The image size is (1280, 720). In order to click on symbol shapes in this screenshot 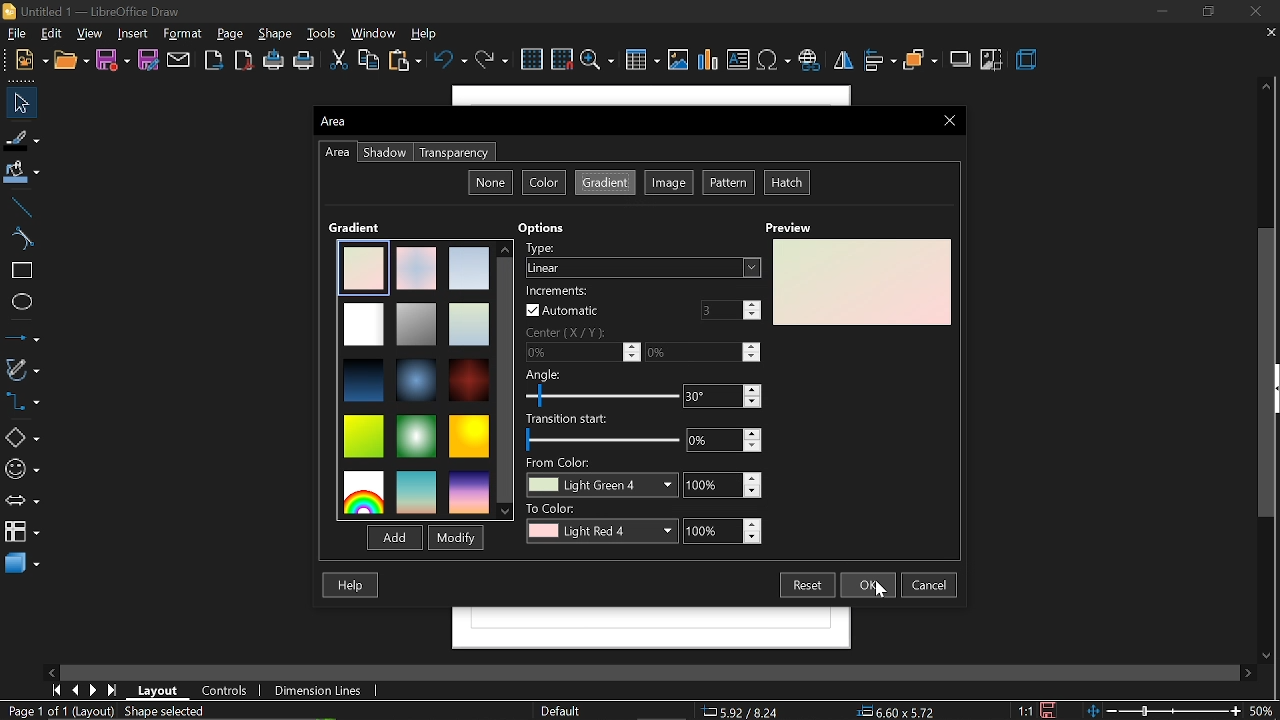, I will do `click(21, 470)`.